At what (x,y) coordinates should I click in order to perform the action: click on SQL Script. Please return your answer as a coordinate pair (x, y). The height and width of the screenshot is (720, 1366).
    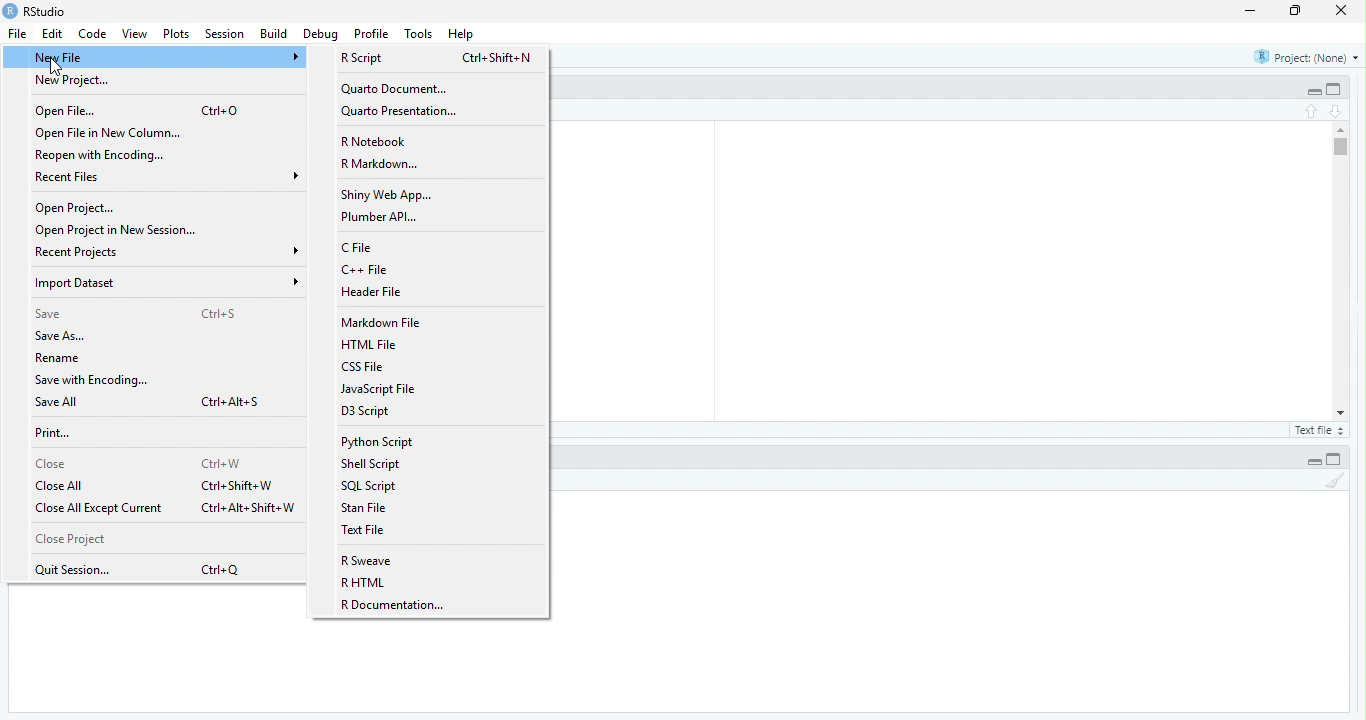
    Looking at the image, I should click on (370, 485).